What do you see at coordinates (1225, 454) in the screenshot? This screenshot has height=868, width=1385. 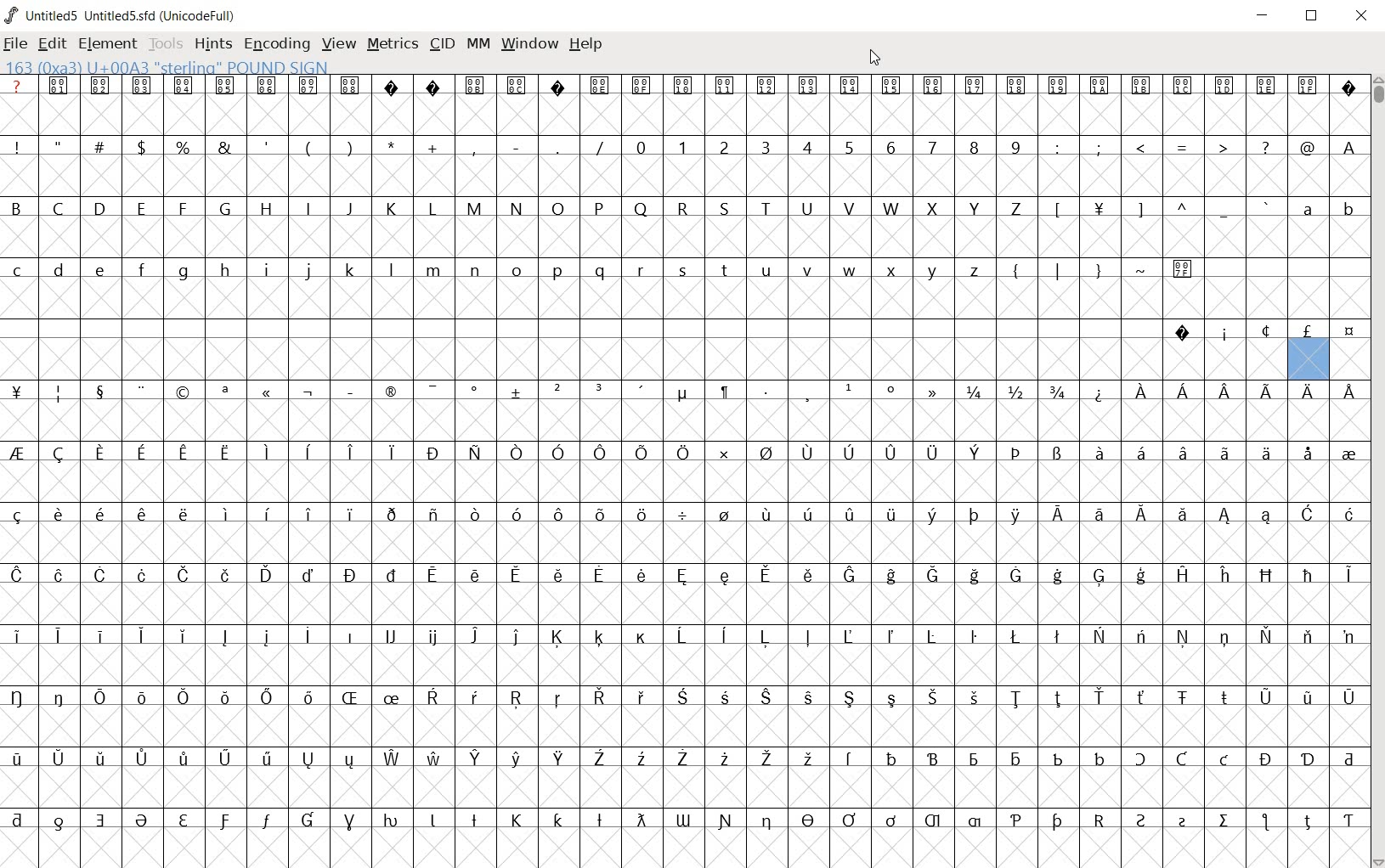 I see `Symbol` at bounding box center [1225, 454].